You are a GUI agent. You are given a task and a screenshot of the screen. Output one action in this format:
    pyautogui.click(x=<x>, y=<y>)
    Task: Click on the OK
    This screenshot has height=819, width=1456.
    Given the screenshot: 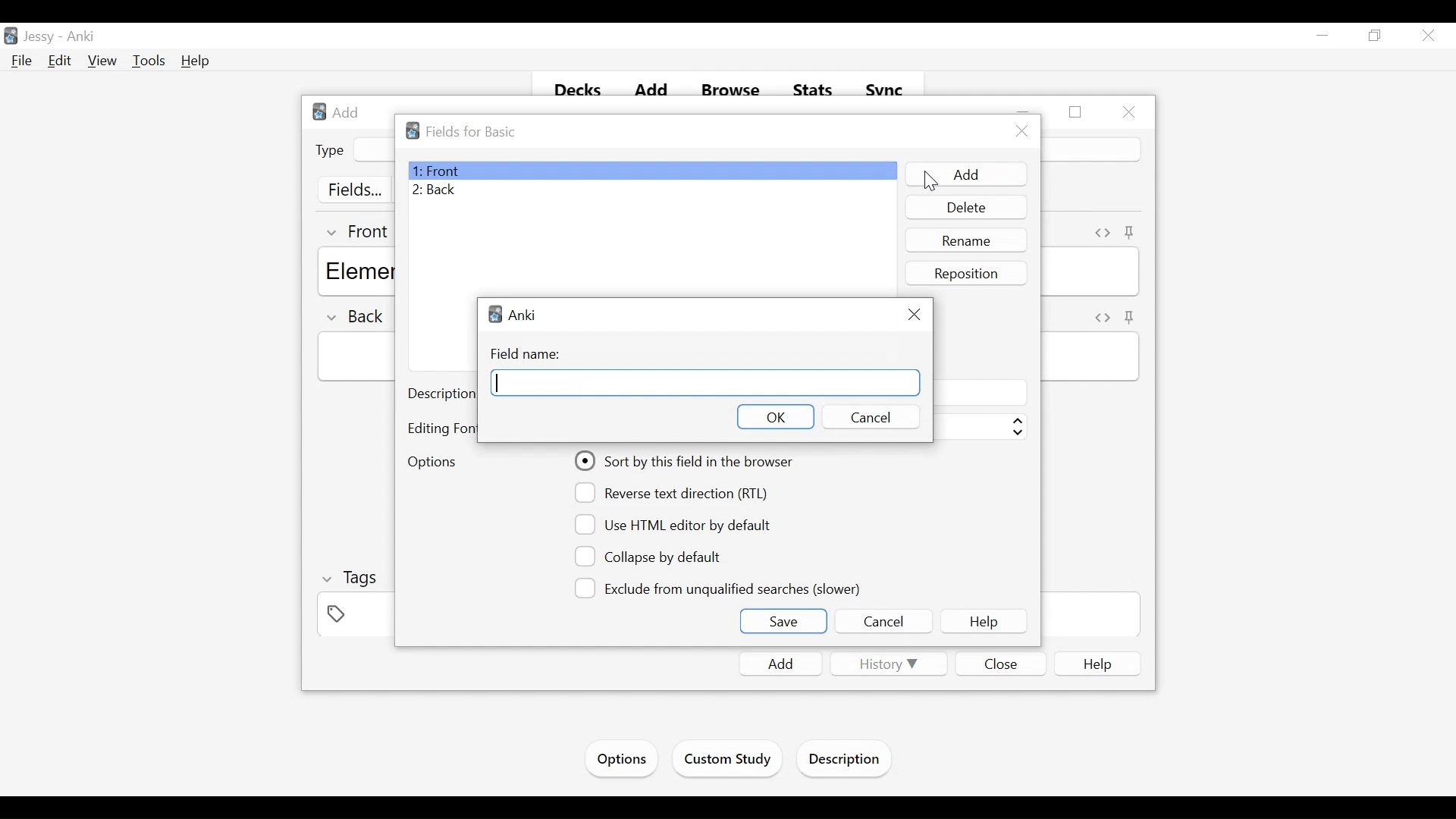 What is the action you would take?
    pyautogui.click(x=777, y=416)
    